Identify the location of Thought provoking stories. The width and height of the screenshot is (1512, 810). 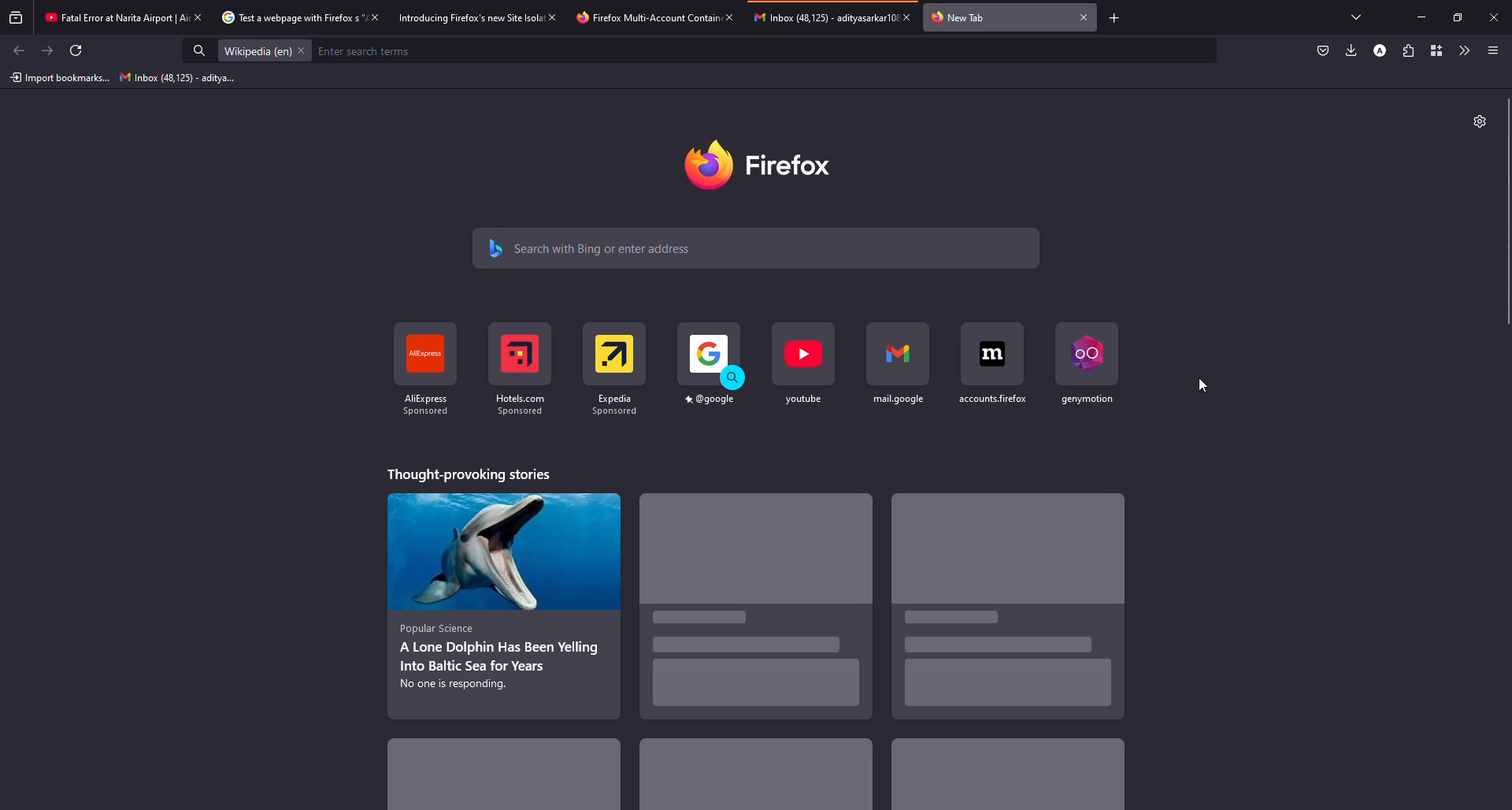
(469, 474).